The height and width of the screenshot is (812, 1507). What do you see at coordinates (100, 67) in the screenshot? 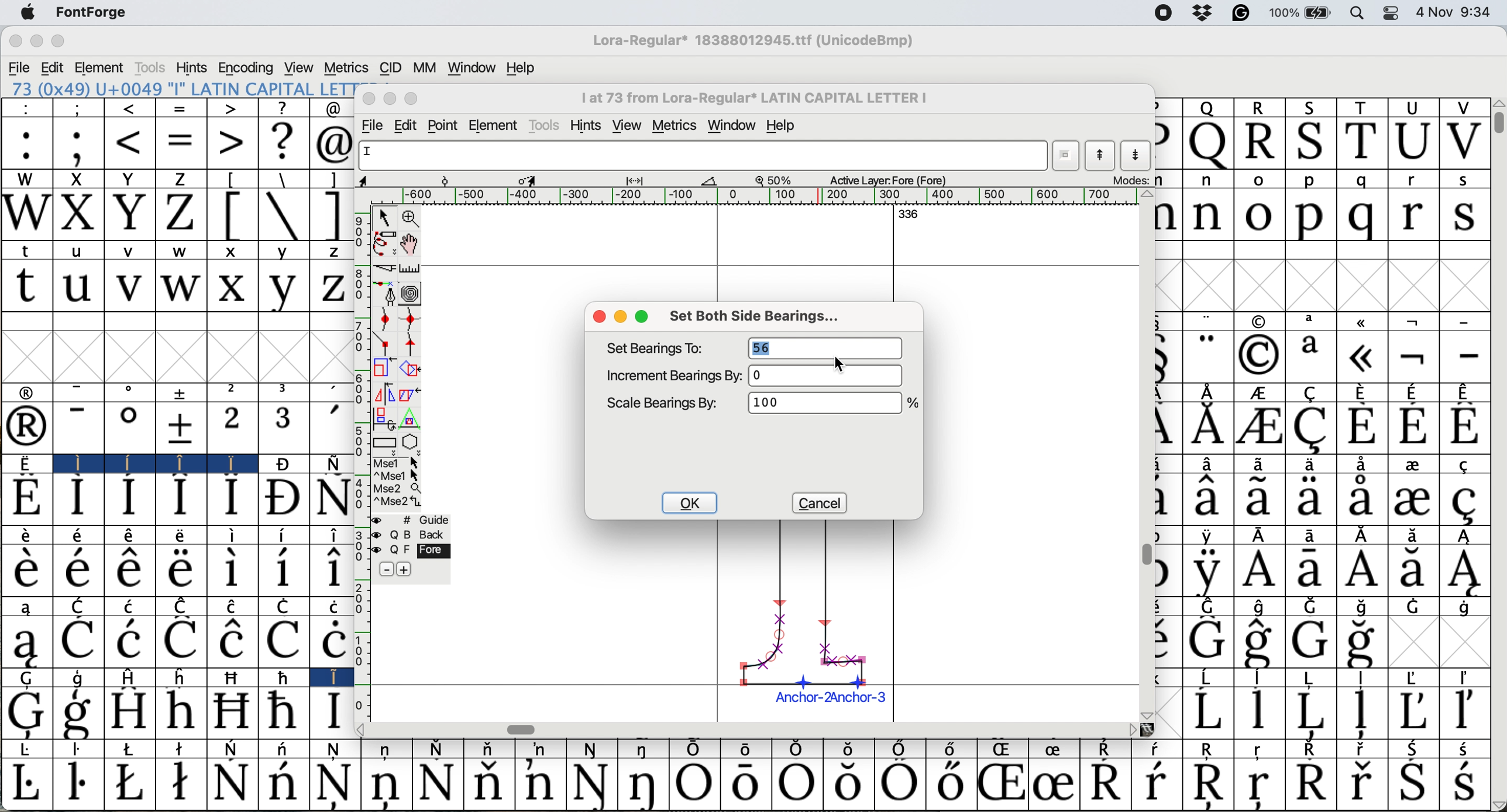
I see `element` at bounding box center [100, 67].